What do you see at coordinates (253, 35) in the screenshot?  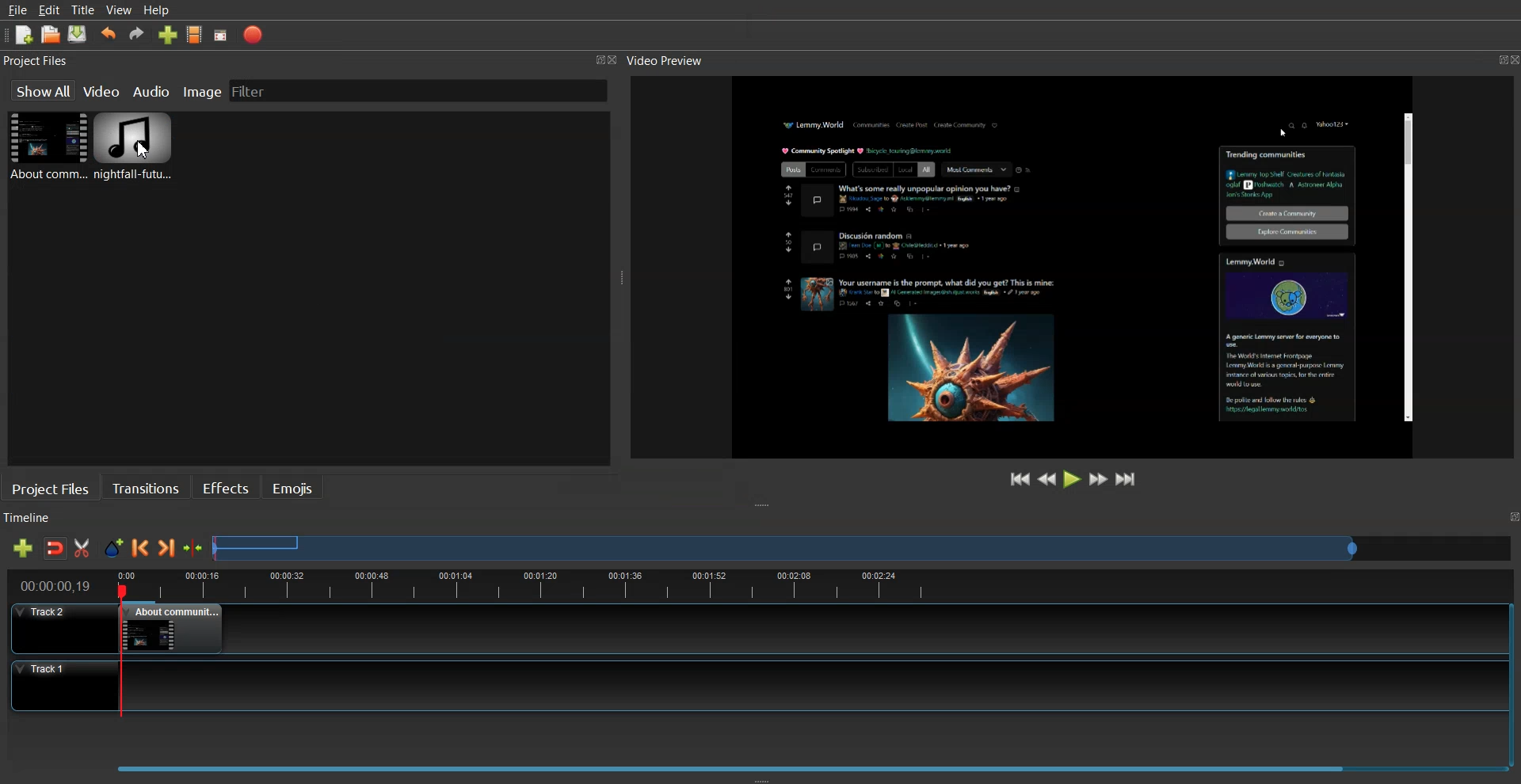 I see `Export Video` at bounding box center [253, 35].